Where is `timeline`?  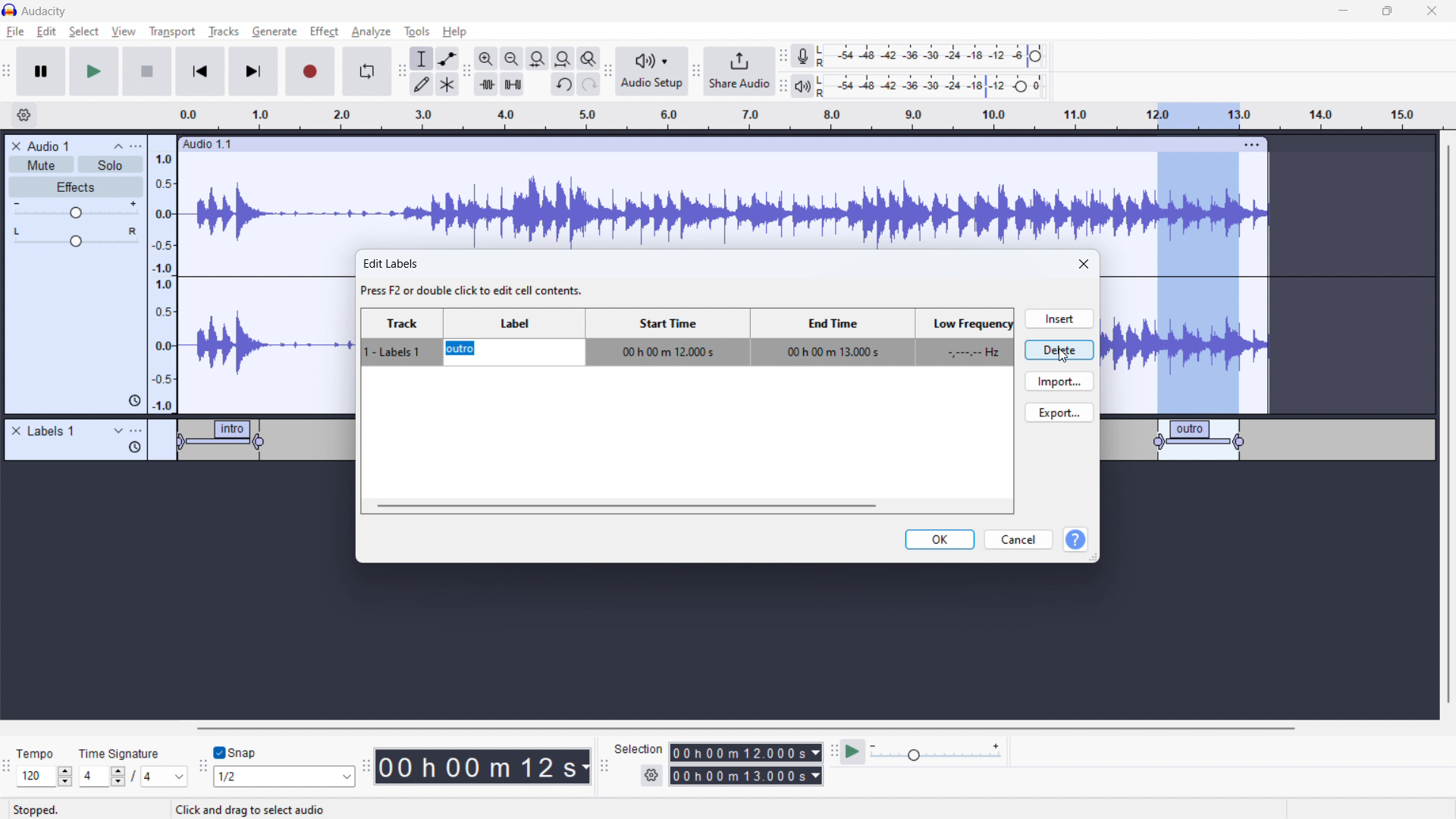
timeline is located at coordinates (724, 636).